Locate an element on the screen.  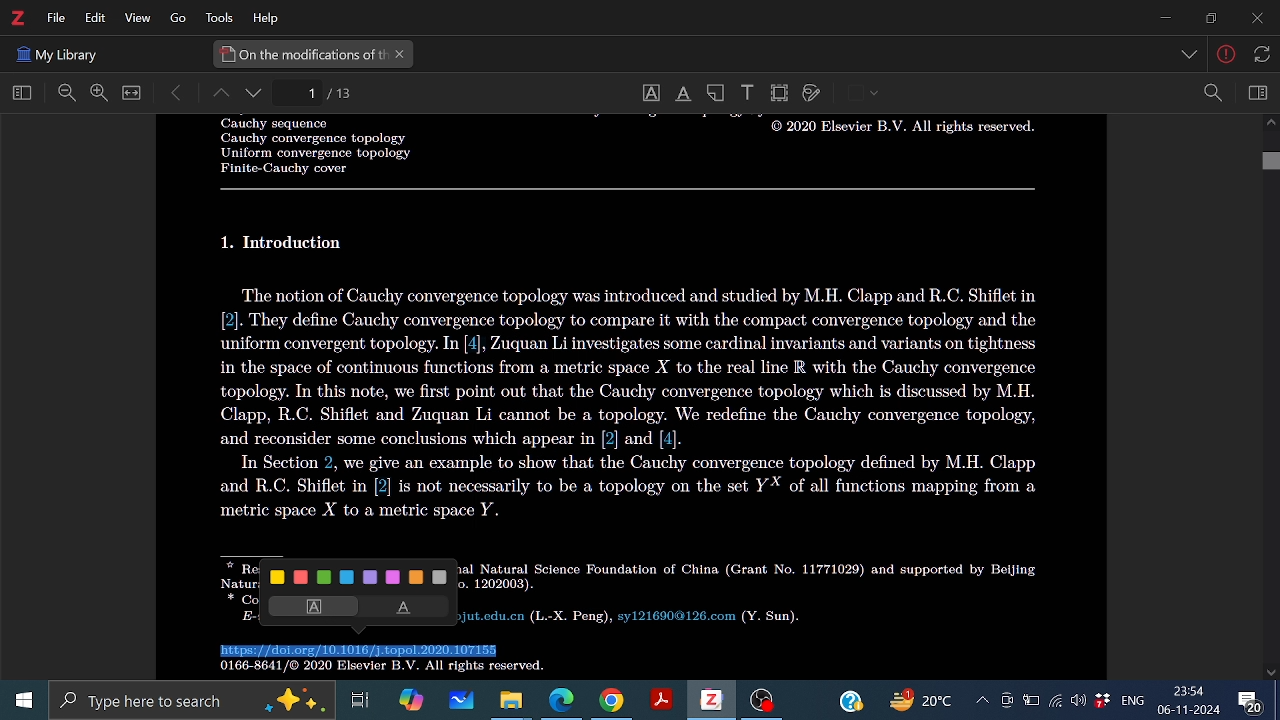
Show hidden icons is located at coordinates (981, 700).